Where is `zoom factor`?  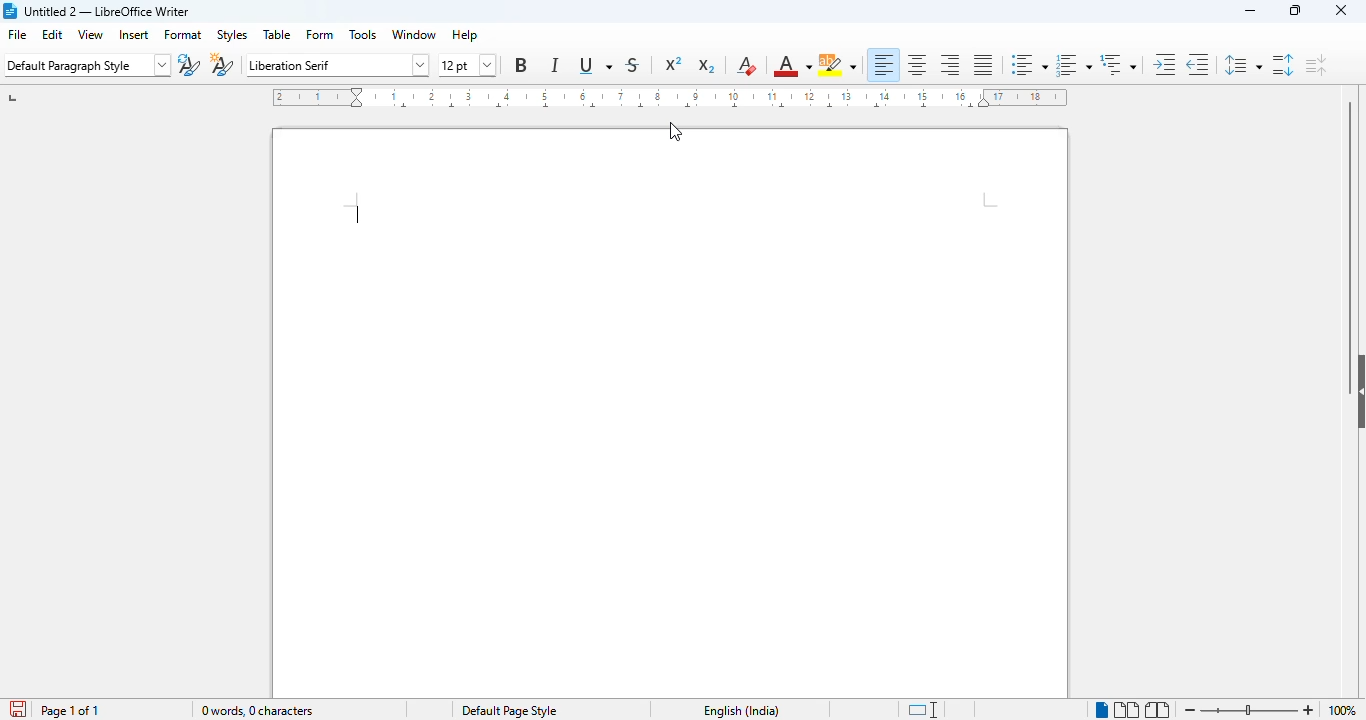 zoom factor is located at coordinates (1342, 711).